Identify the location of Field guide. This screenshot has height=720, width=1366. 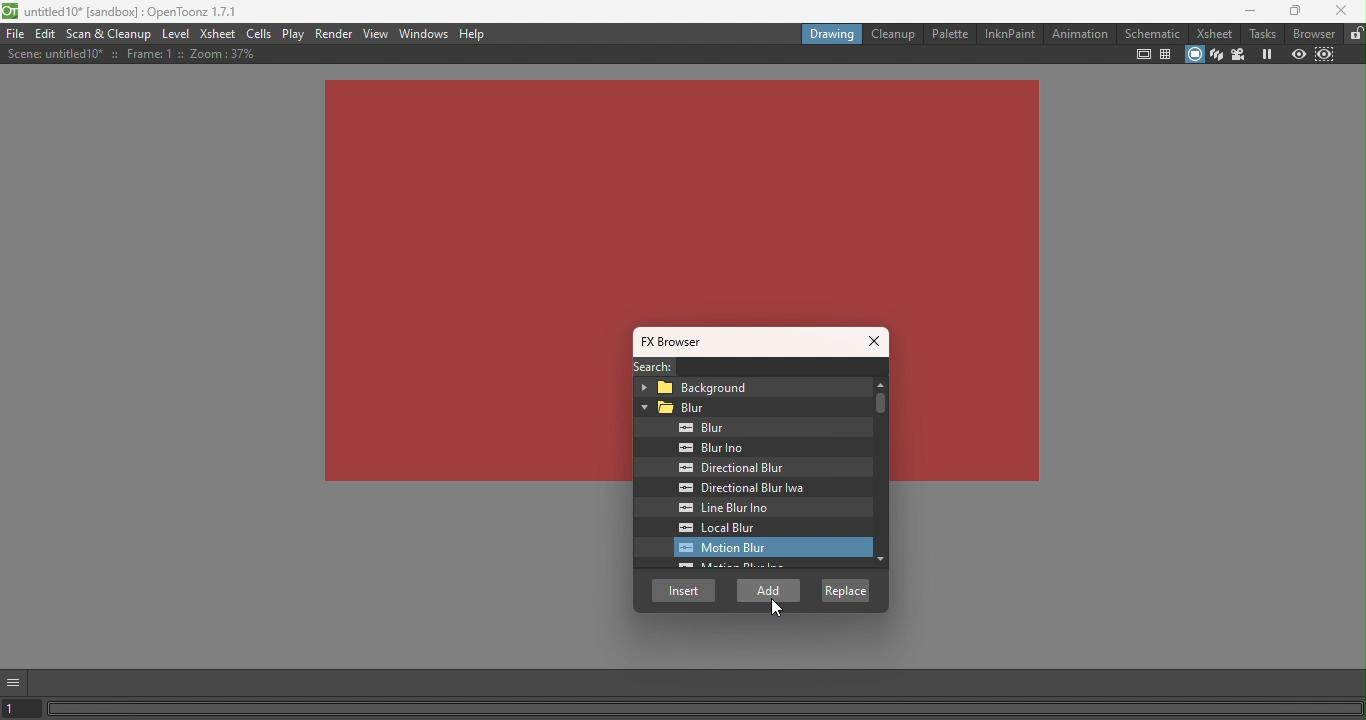
(1164, 56).